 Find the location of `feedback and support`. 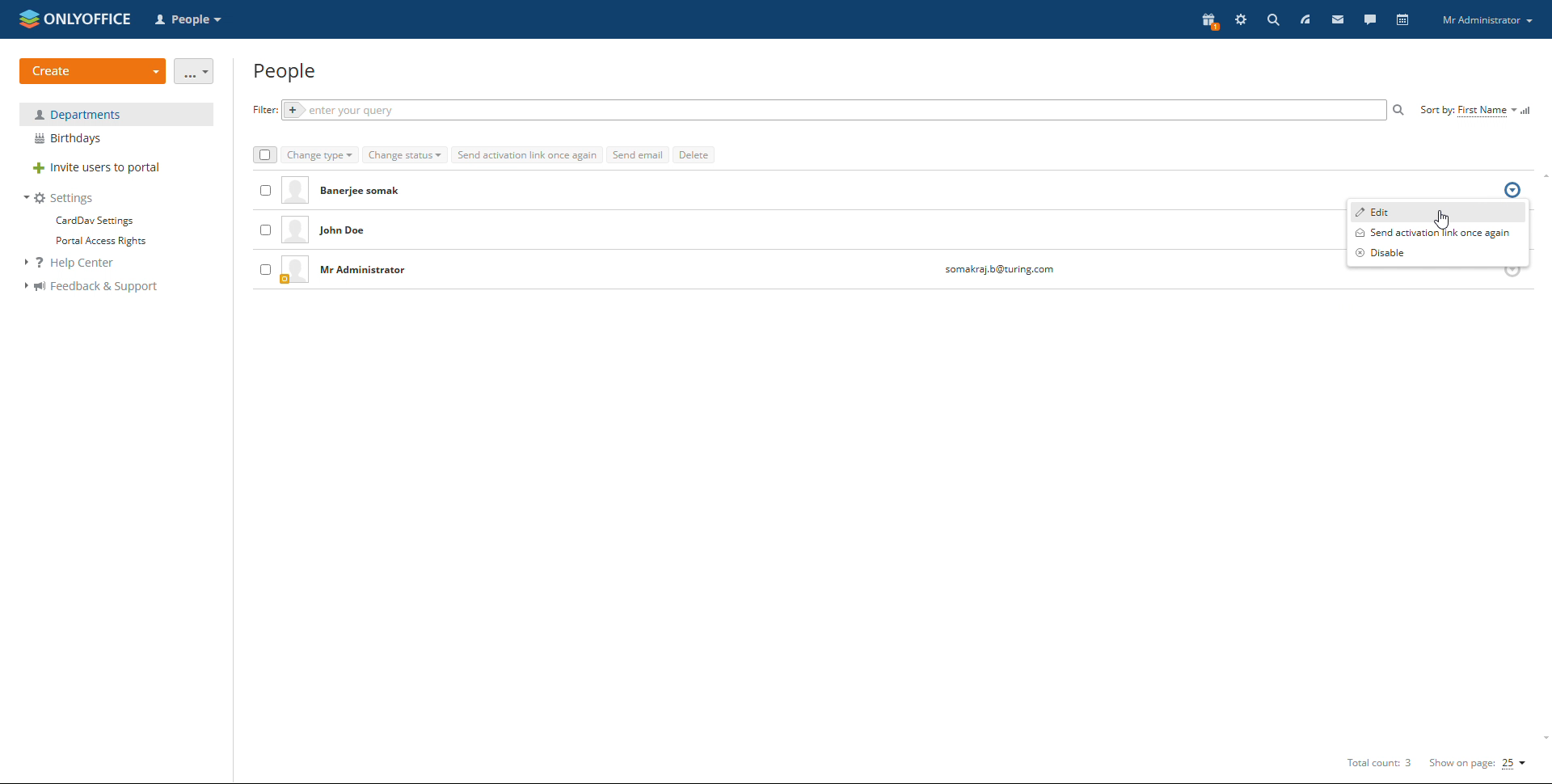

feedback and support is located at coordinates (91, 287).